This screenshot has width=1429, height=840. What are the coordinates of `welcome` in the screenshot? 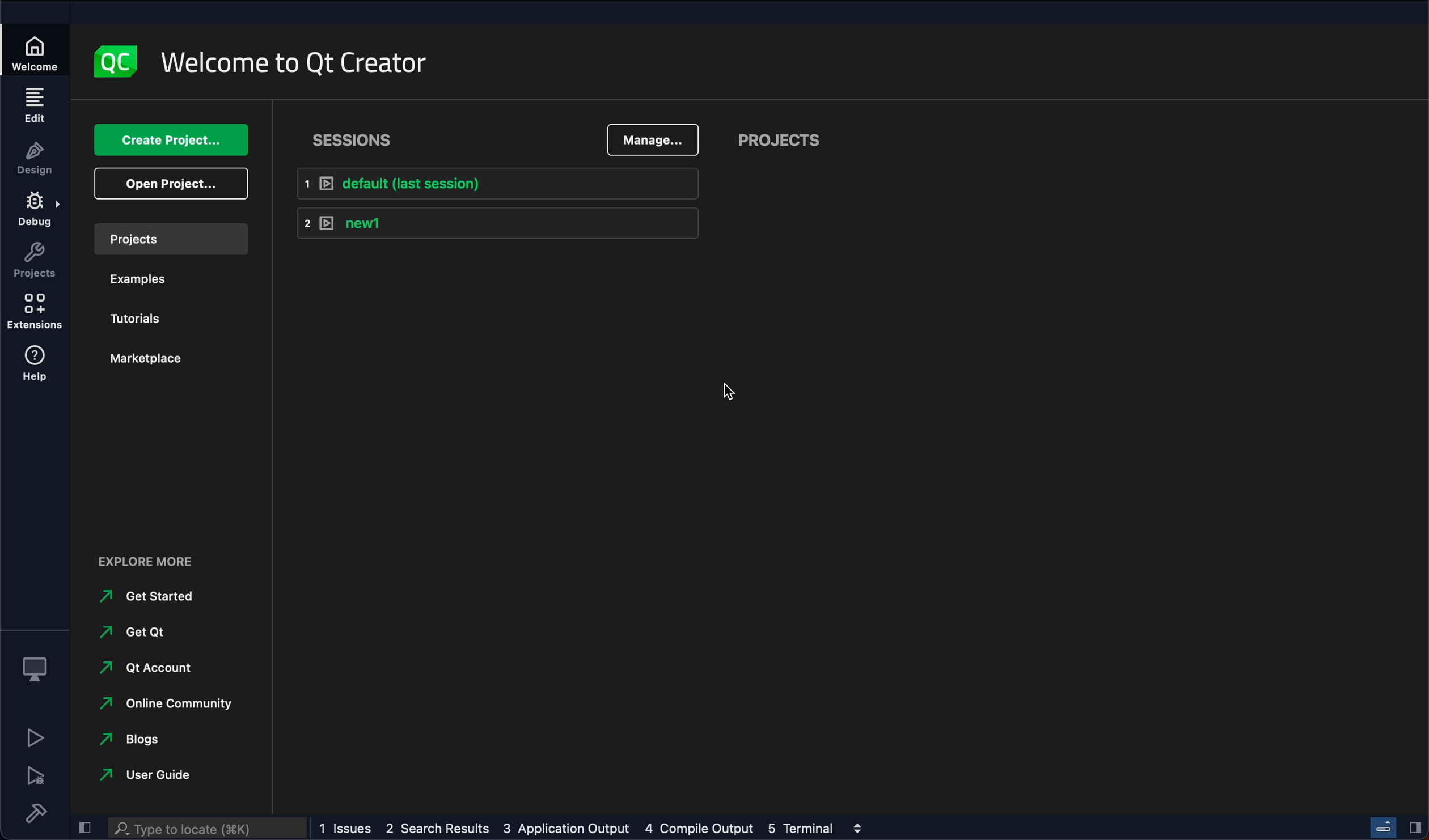 It's located at (39, 47).